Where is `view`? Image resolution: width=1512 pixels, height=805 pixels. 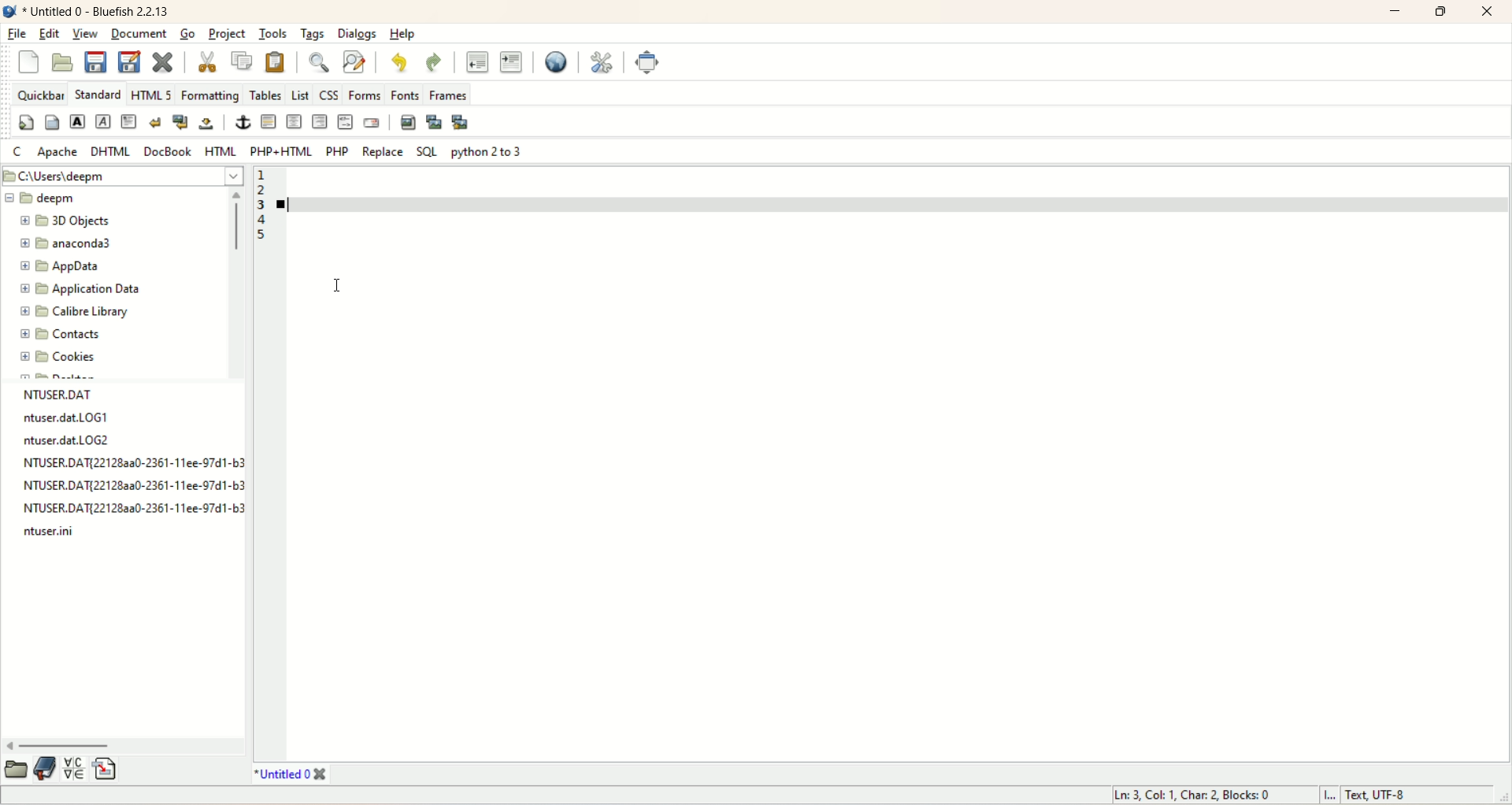
view is located at coordinates (85, 35).